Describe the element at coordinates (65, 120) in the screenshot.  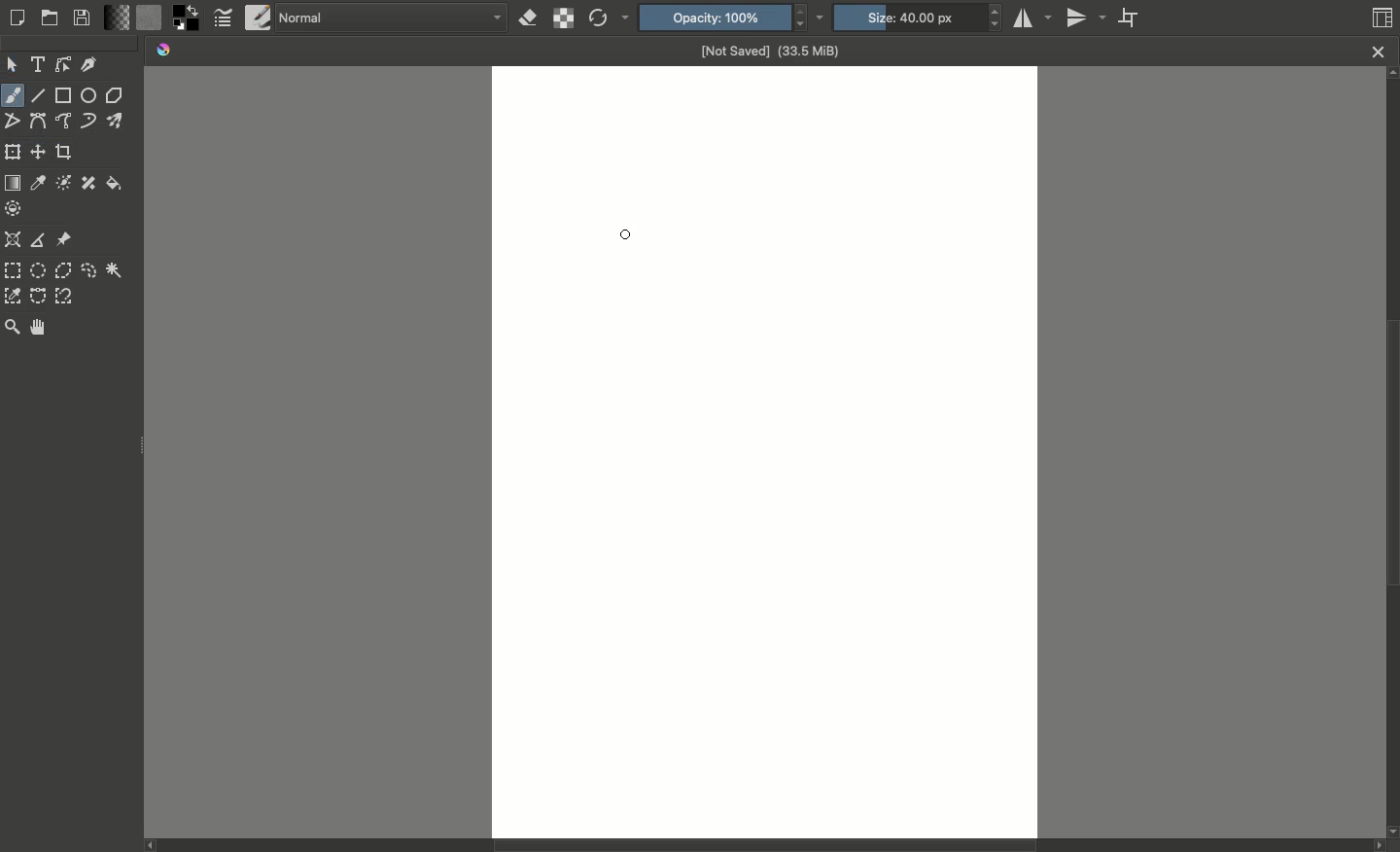
I see `Freehand path` at that location.